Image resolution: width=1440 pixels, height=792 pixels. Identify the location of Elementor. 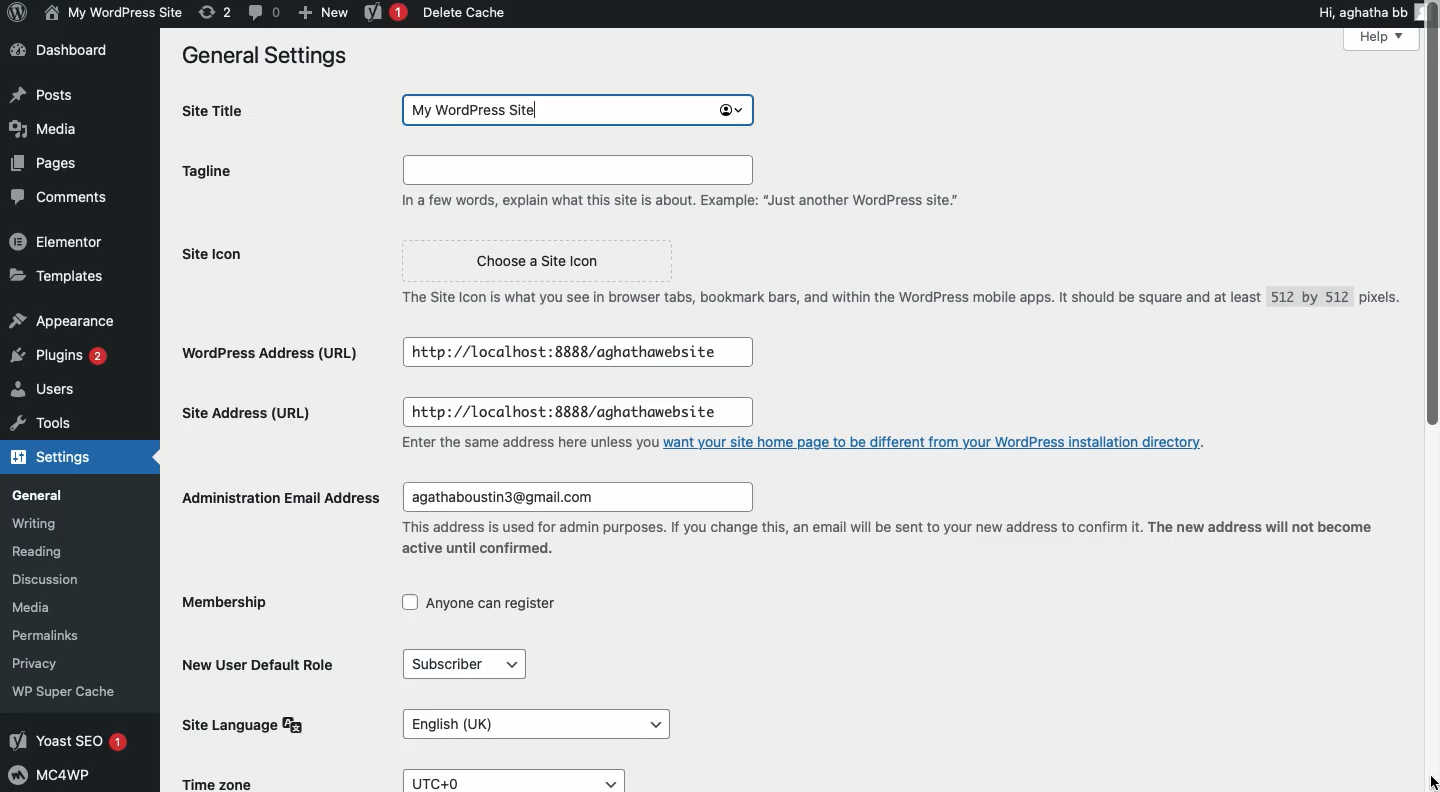
(60, 242).